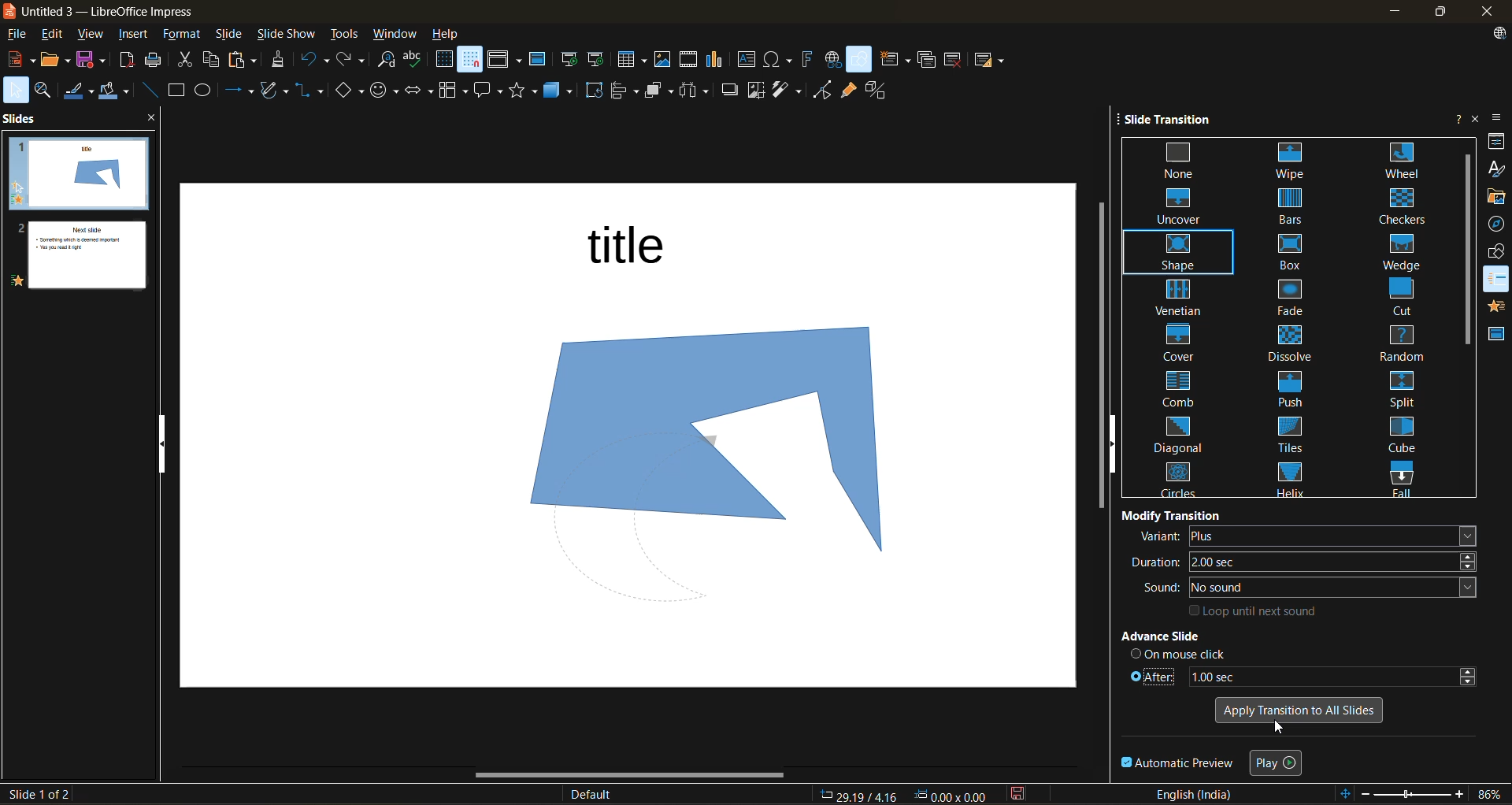  What do you see at coordinates (750, 61) in the screenshot?
I see `insert text box` at bounding box center [750, 61].